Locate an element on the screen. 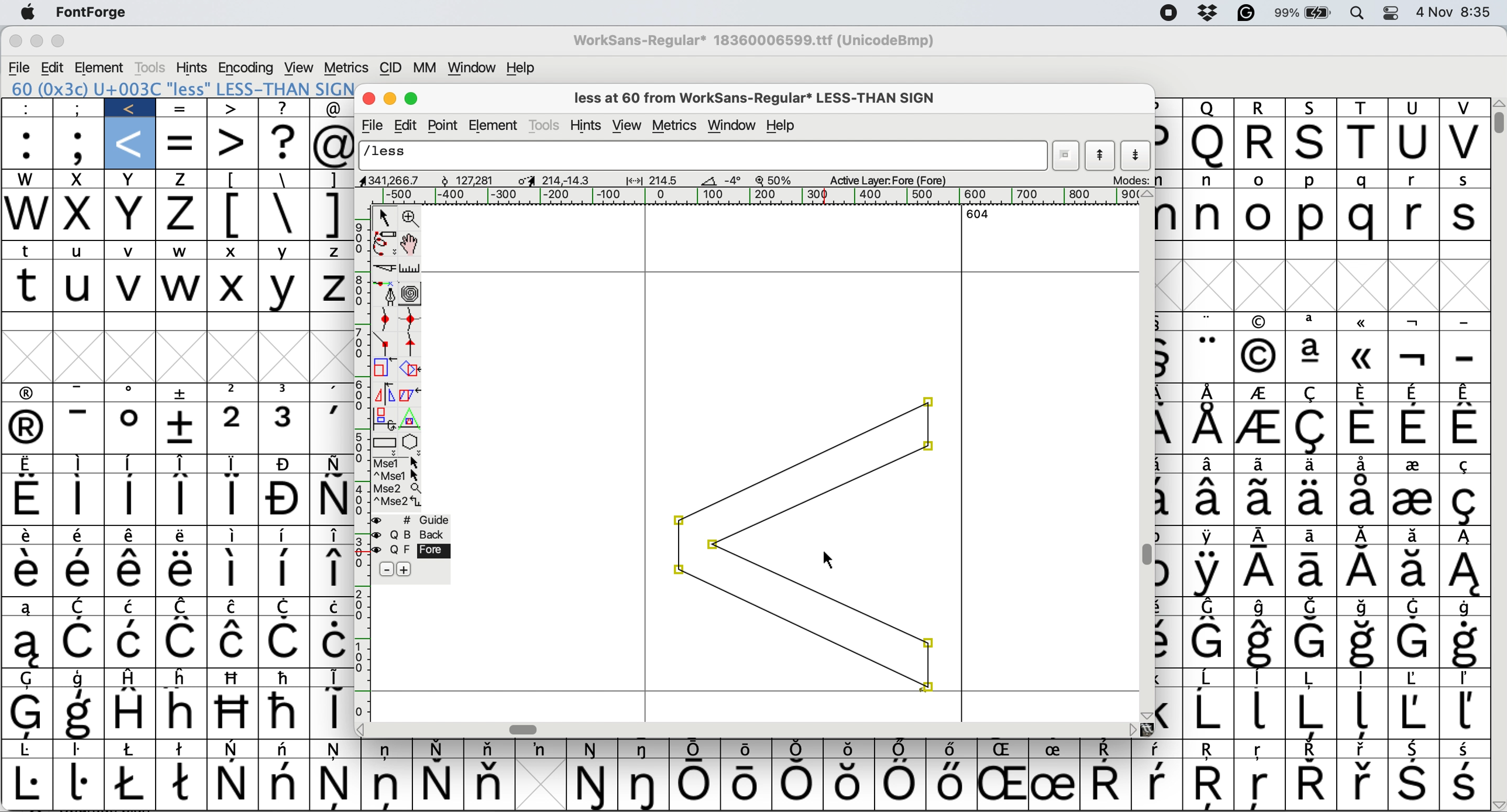 The height and width of the screenshot is (812, 1507). - is located at coordinates (82, 392).